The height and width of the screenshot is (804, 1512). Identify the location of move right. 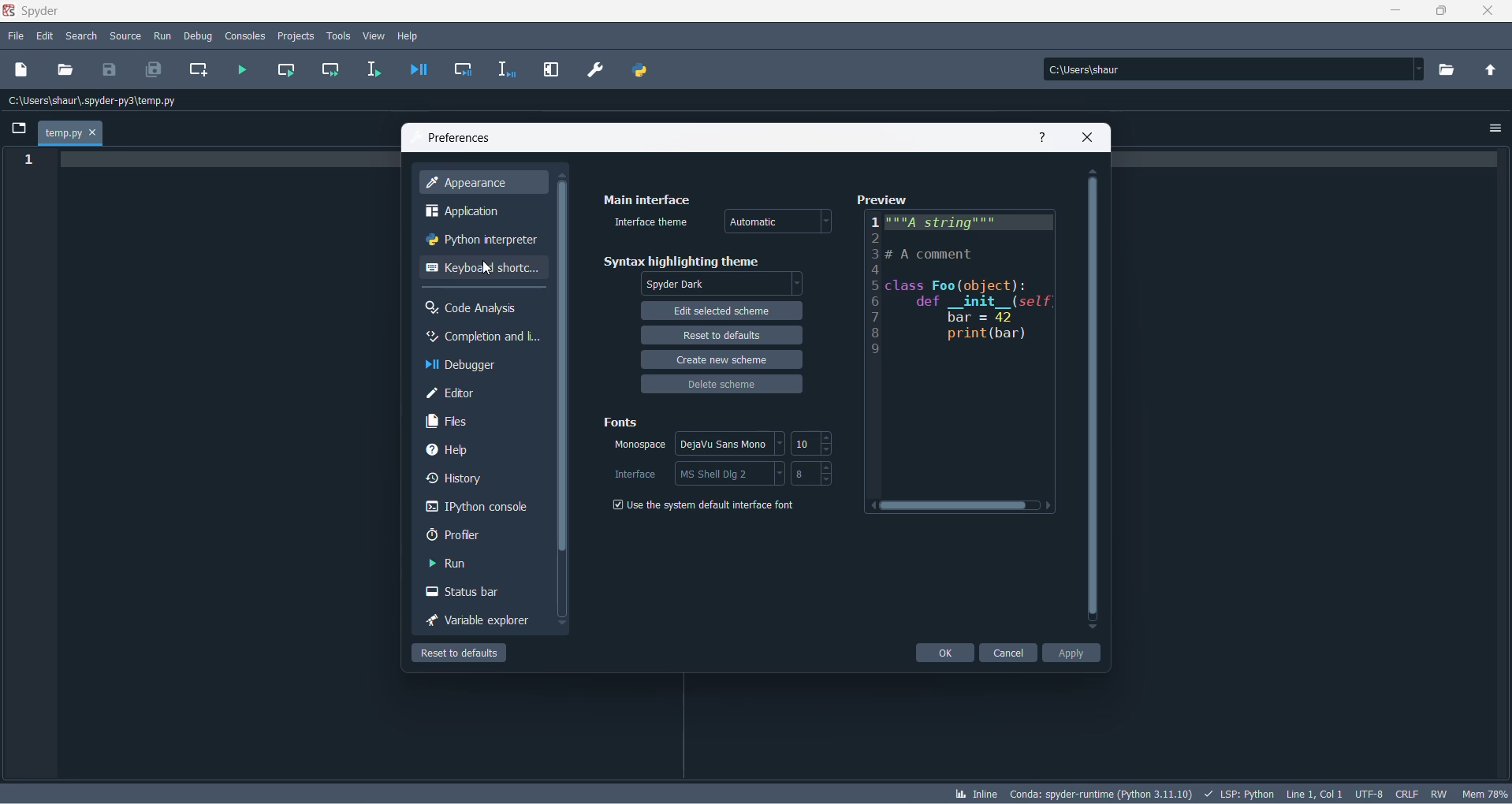
(872, 505).